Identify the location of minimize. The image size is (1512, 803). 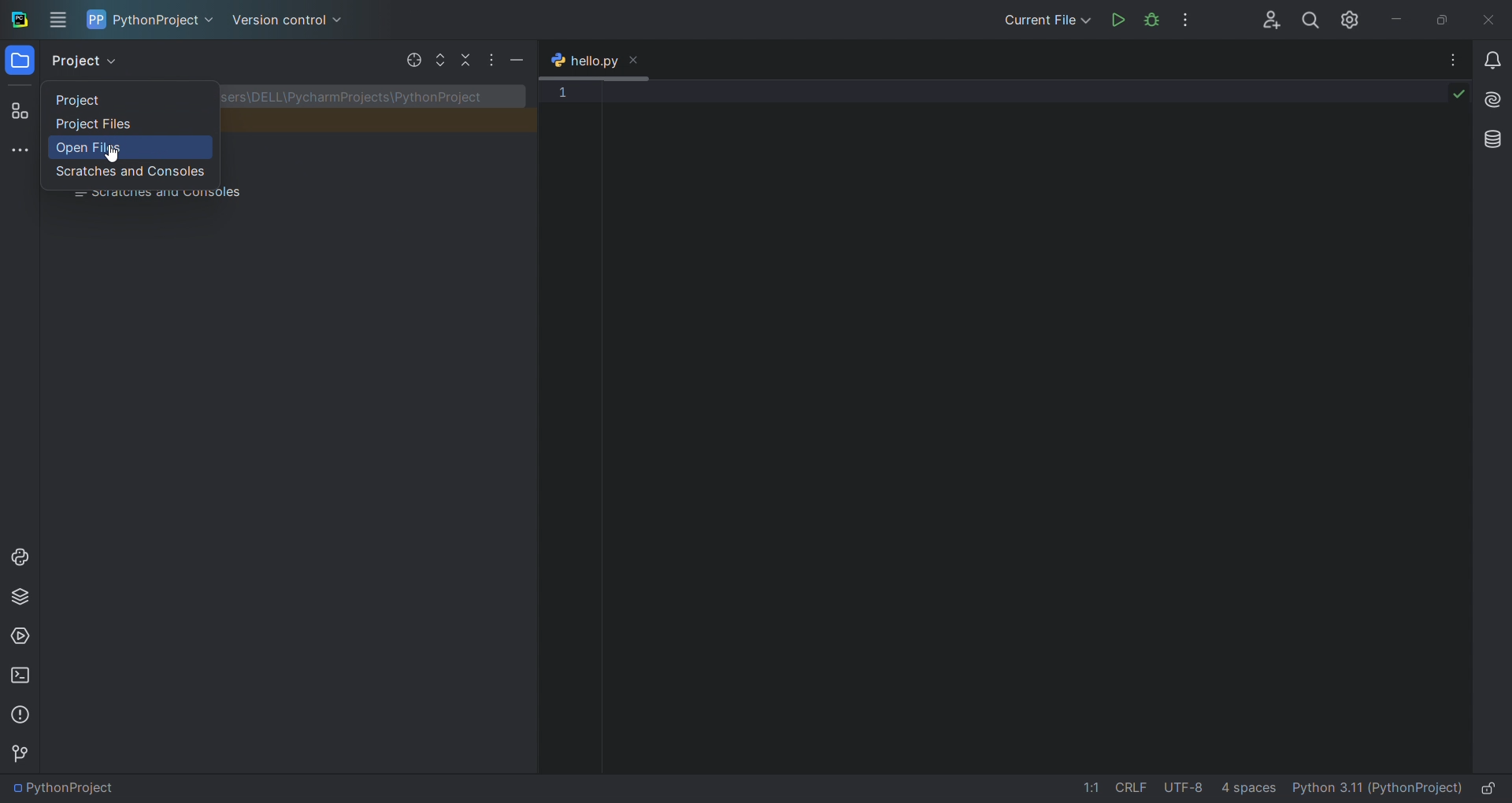
(519, 58).